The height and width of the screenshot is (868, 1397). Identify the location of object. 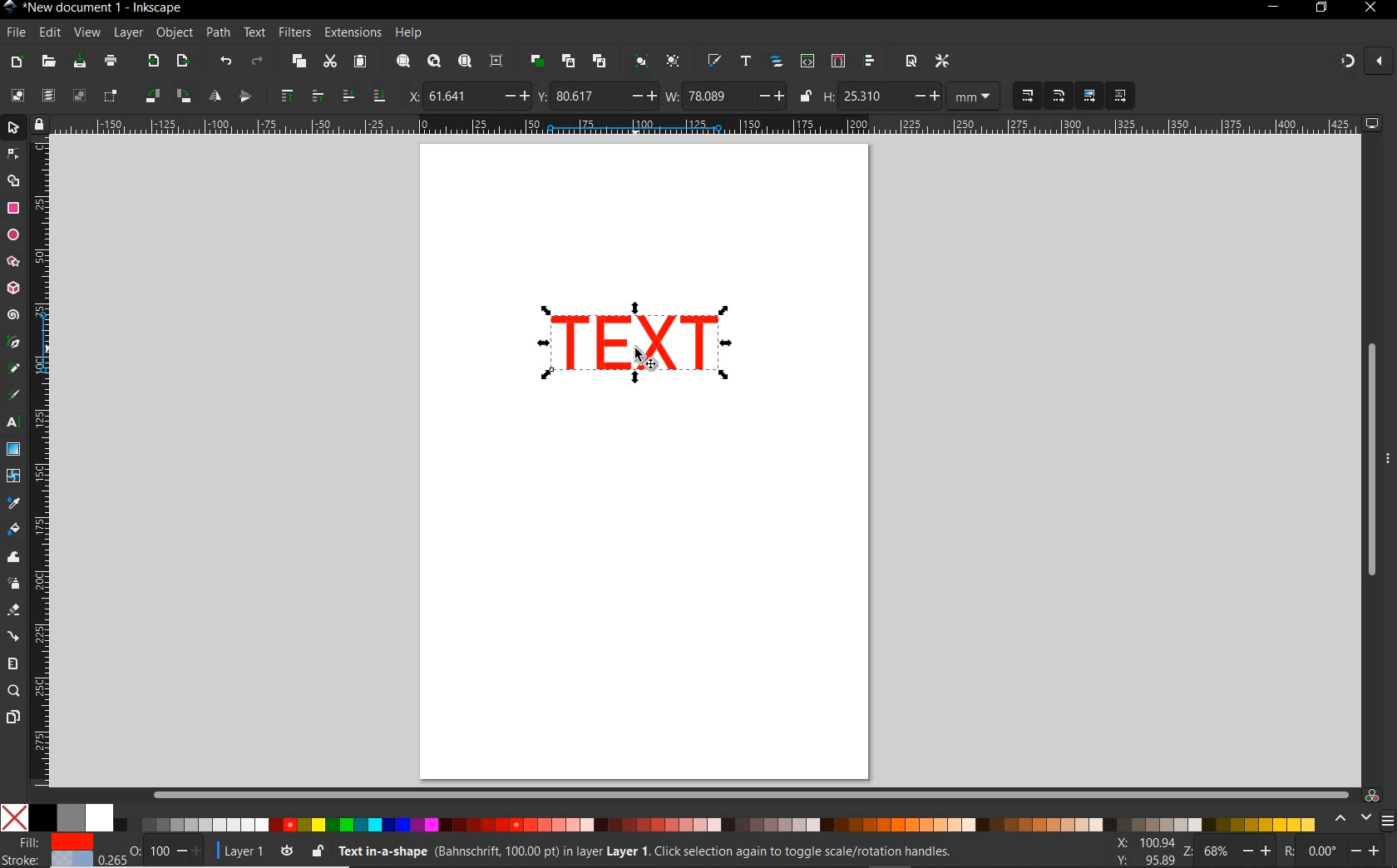
(175, 33).